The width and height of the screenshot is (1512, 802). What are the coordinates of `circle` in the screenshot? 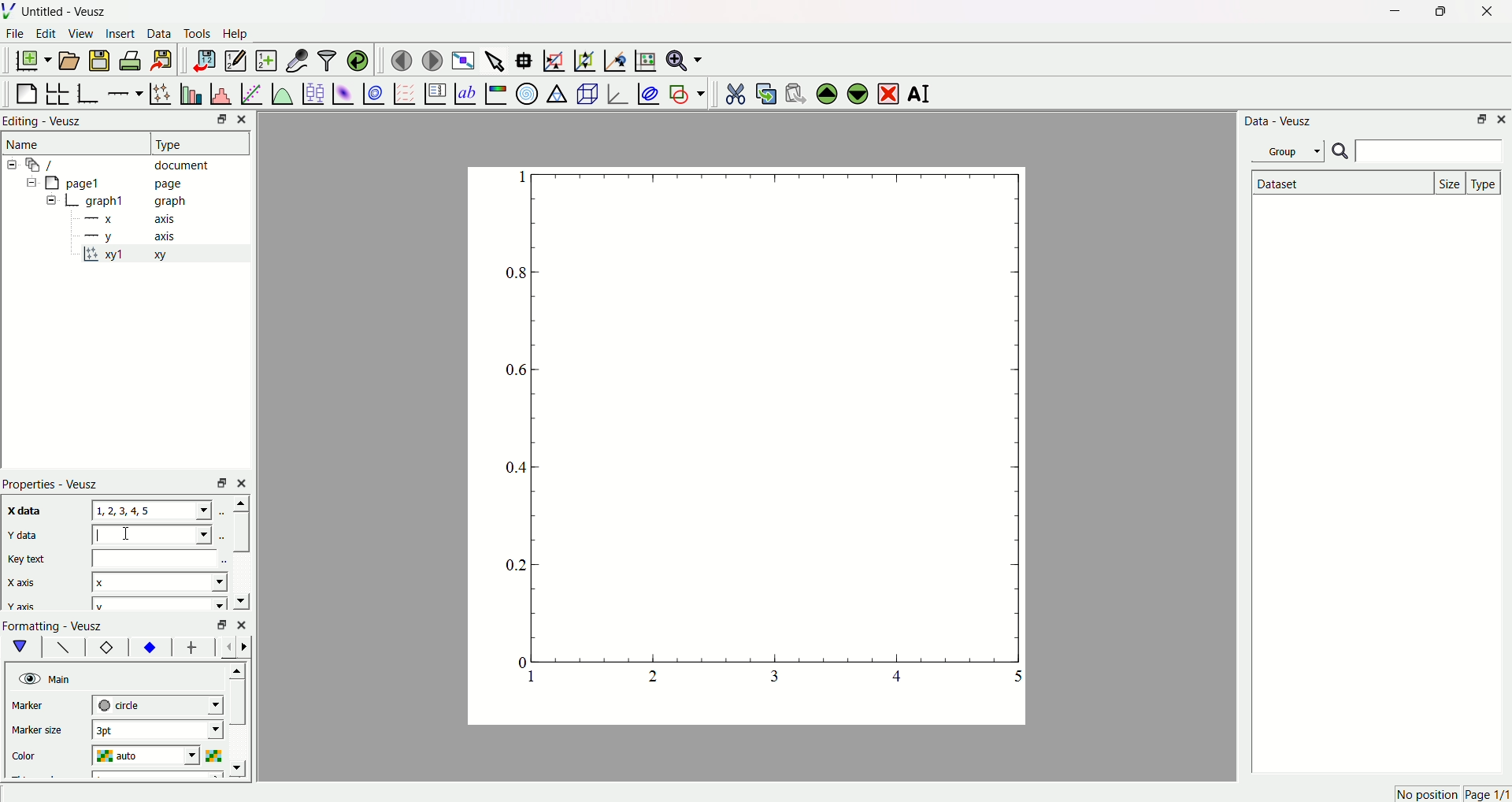 It's located at (156, 704).